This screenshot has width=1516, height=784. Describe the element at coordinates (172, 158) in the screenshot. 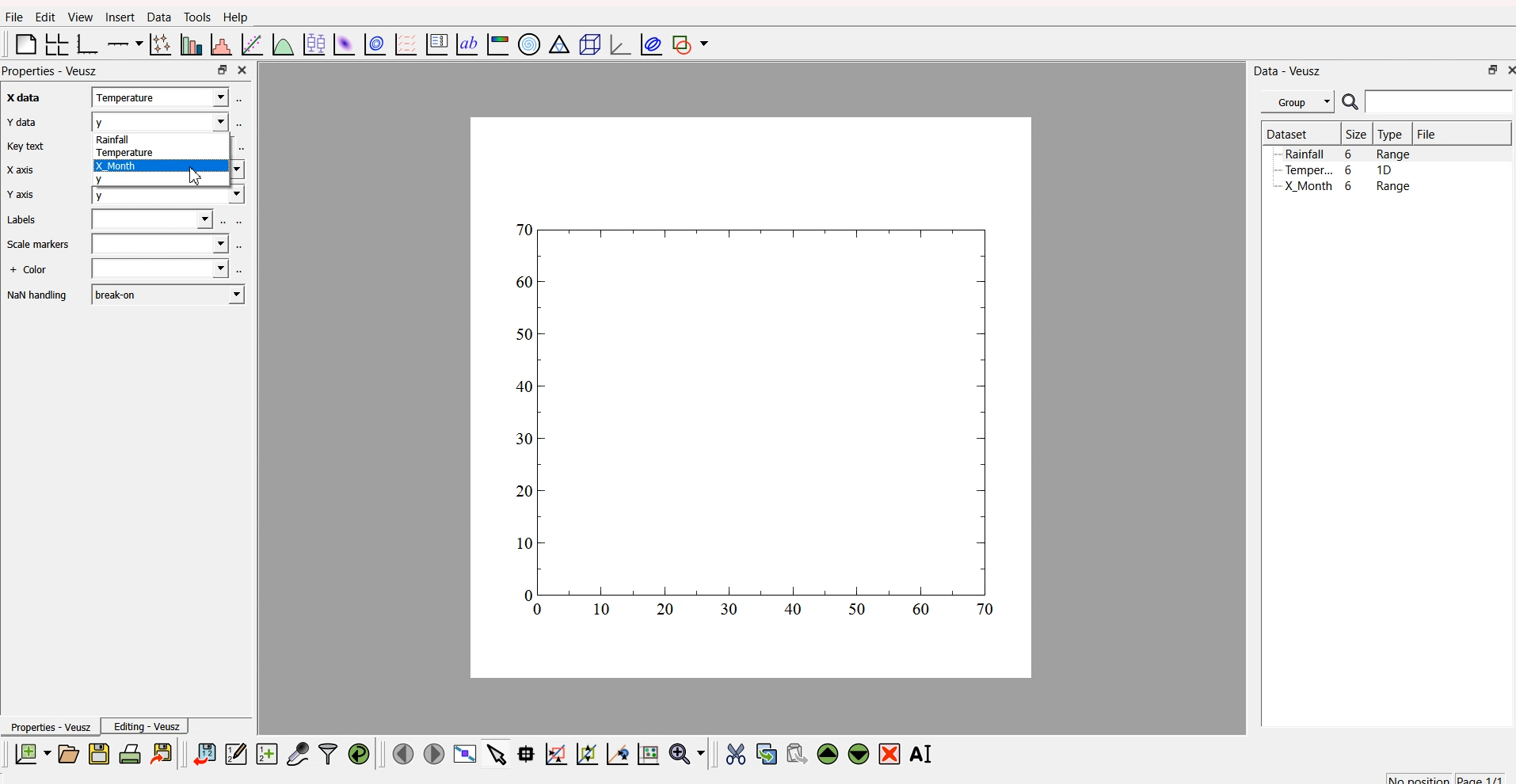

I see `Rainfall Temperature X Month x` at that location.